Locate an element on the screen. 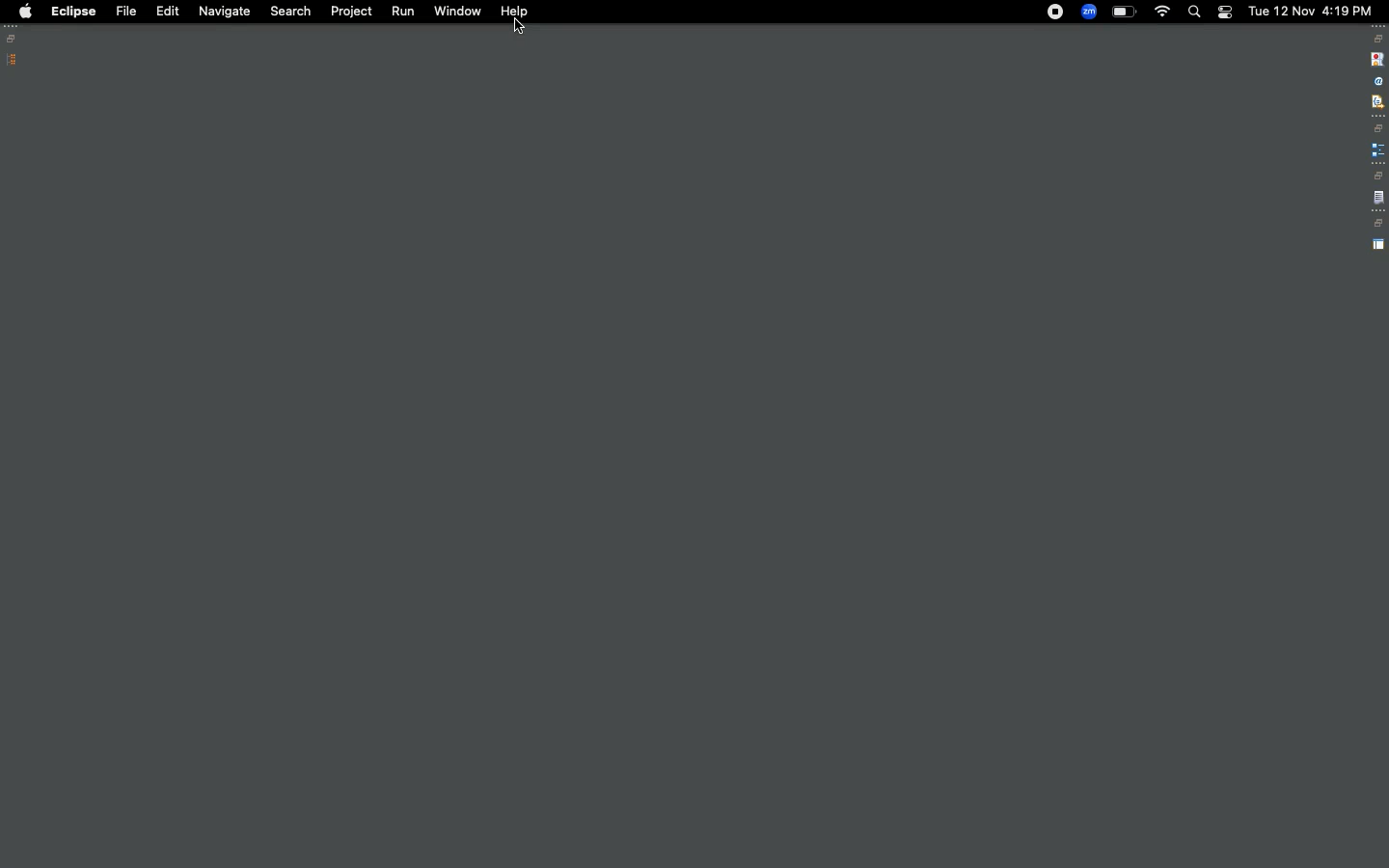 This screenshot has width=1389, height=868. Run is located at coordinates (399, 11).